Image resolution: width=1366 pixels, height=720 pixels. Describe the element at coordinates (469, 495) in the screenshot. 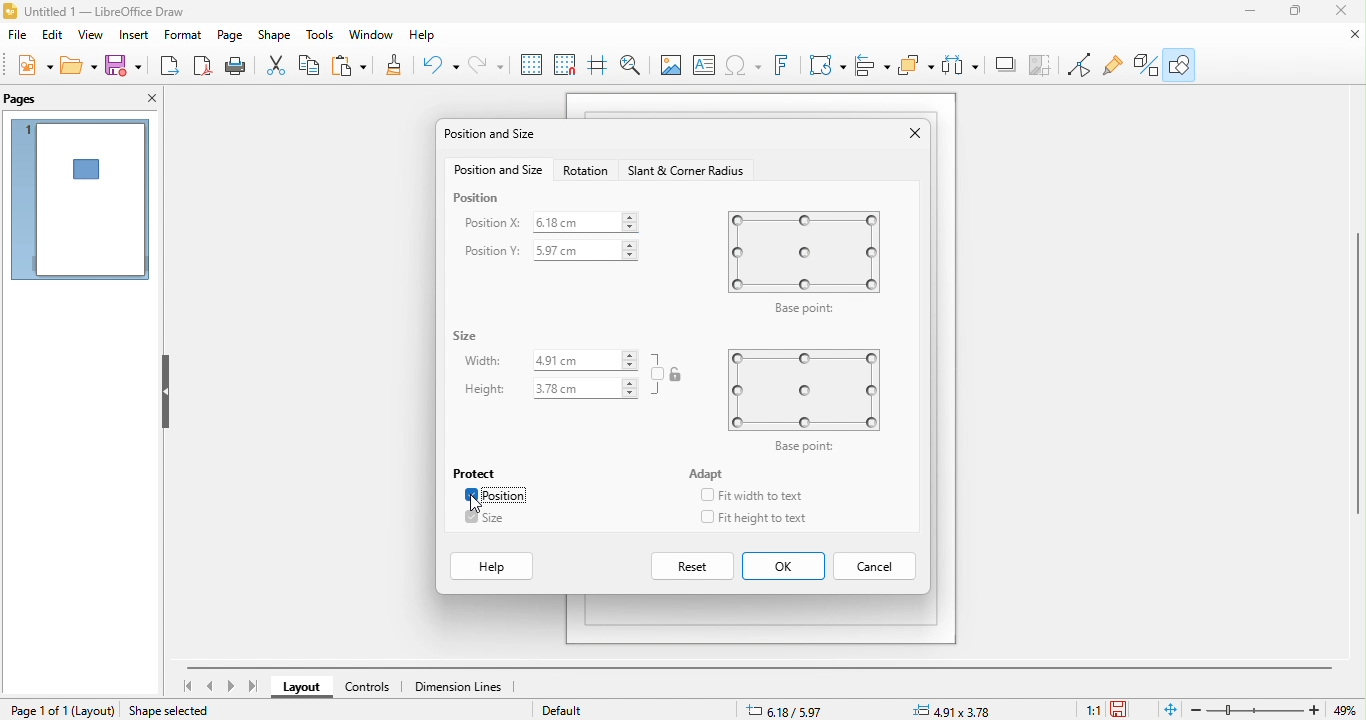

I see `Checkbox ` at that location.